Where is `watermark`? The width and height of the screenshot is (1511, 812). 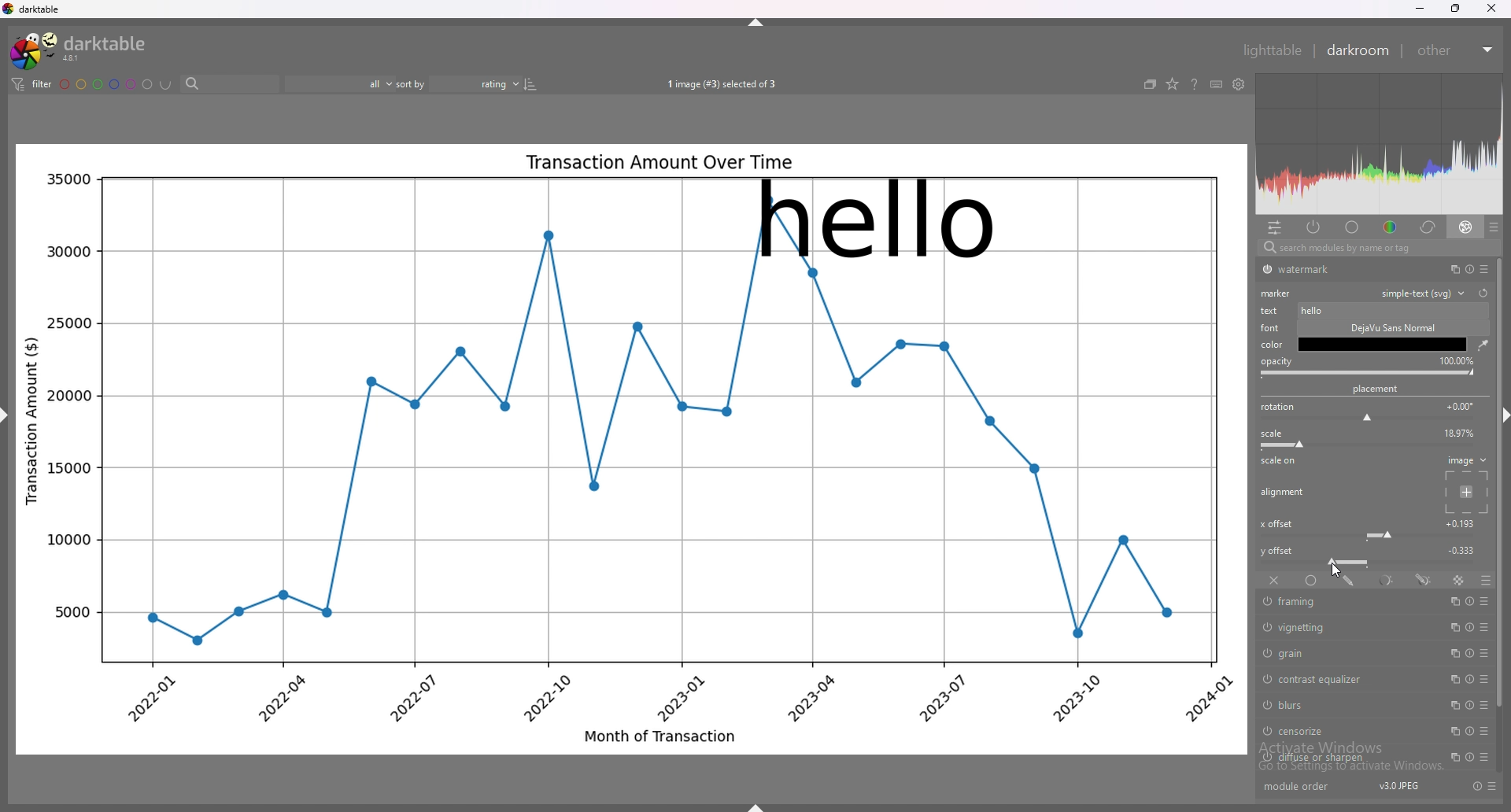 watermark is located at coordinates (870, 218).